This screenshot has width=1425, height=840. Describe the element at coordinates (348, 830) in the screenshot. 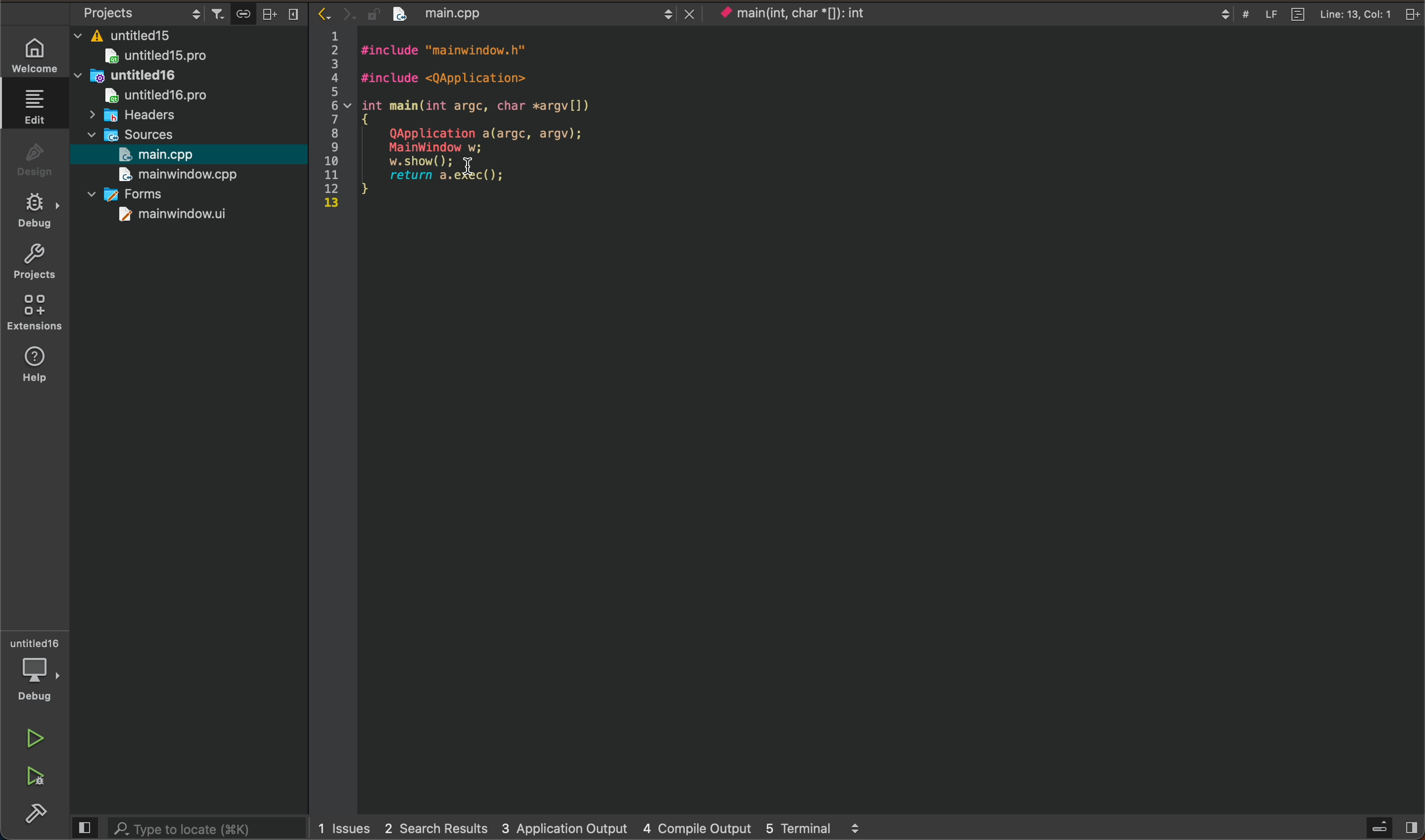

I see `issues` at that location.